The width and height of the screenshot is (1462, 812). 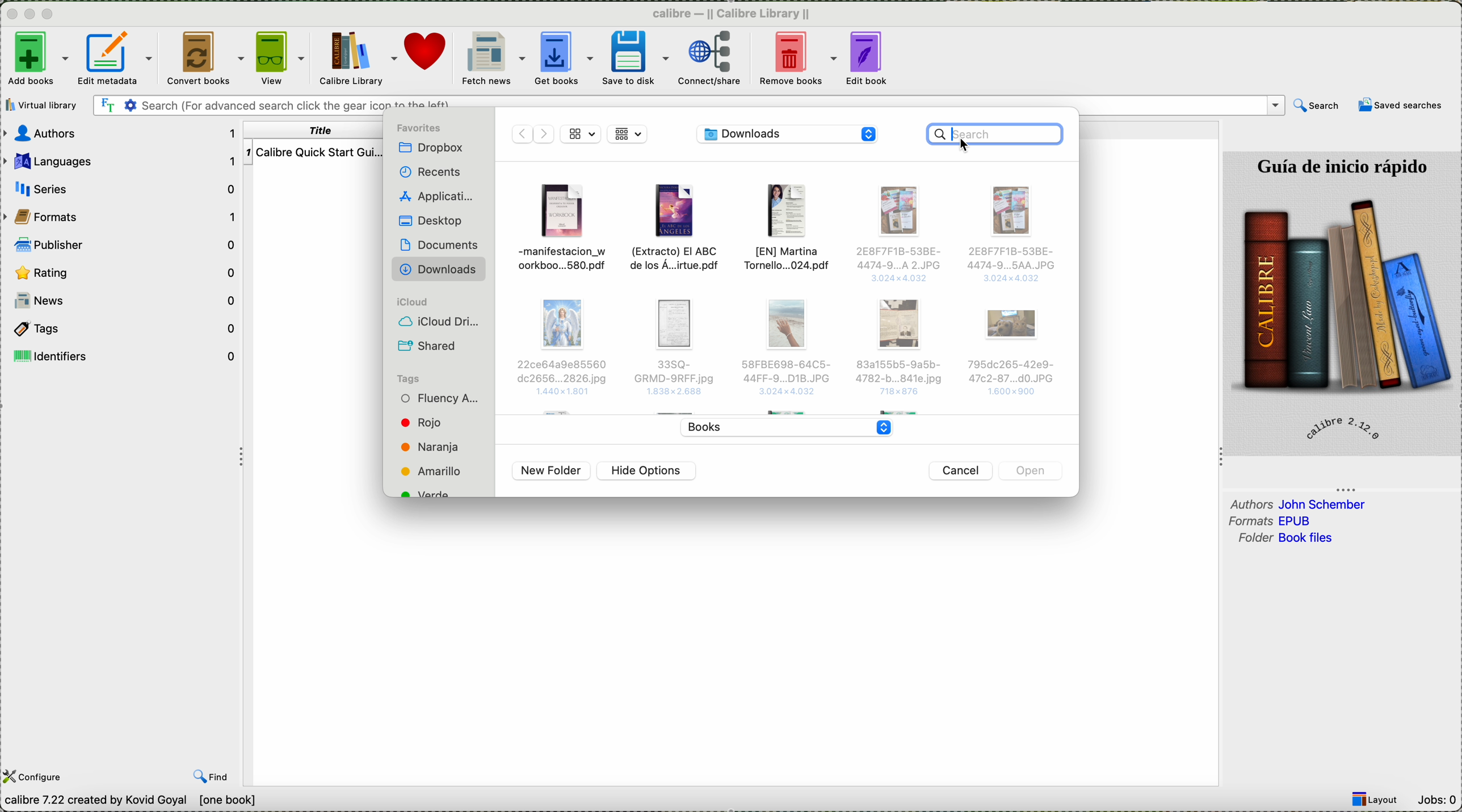 What do you see at coordinates (559, 356) in the screenshot?
I see `` at bounding box center [559, 356].